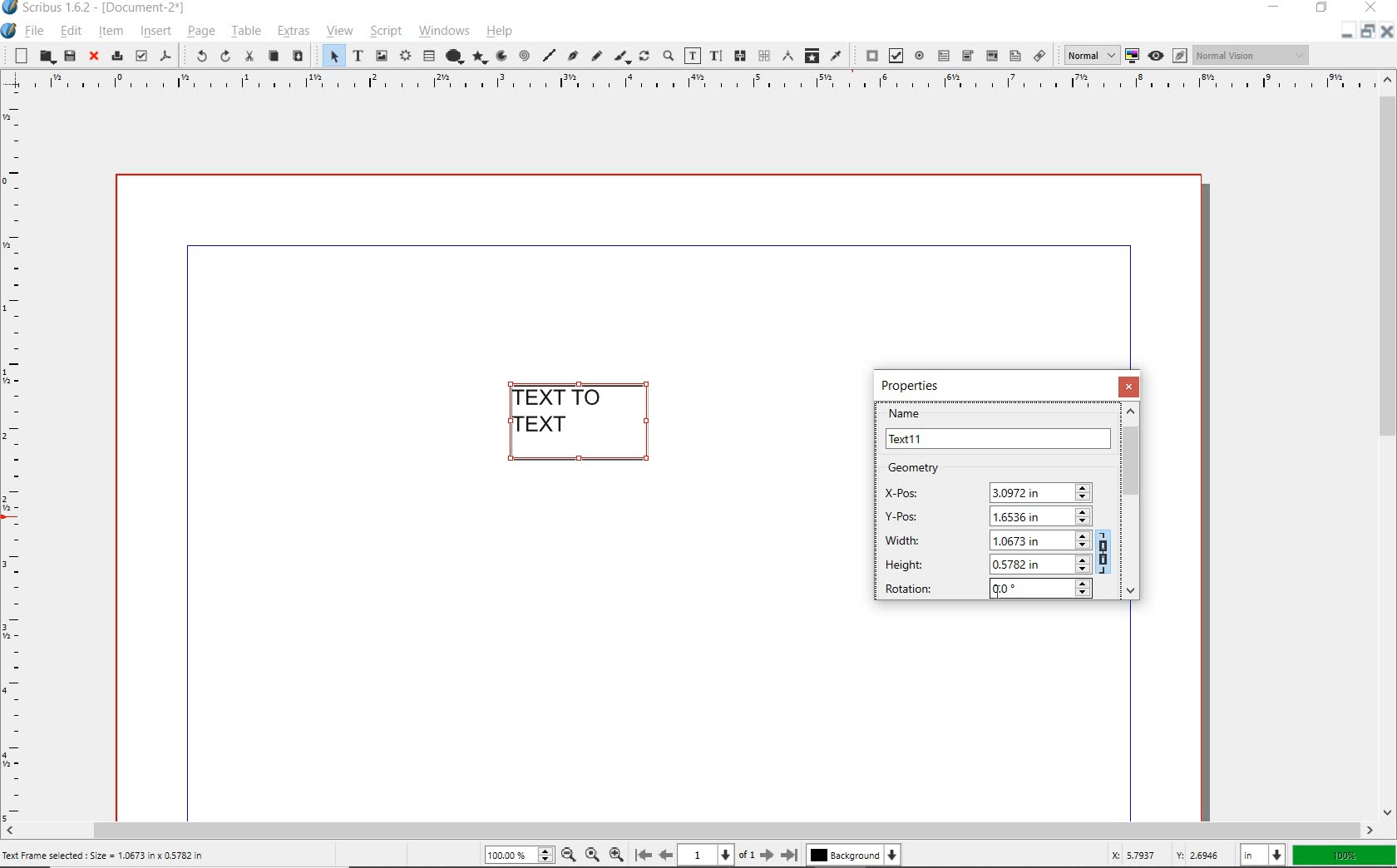 The width and height of the screenshot is (1397, 868). I want to click on SCROLLBAR, so click(1133, 501).